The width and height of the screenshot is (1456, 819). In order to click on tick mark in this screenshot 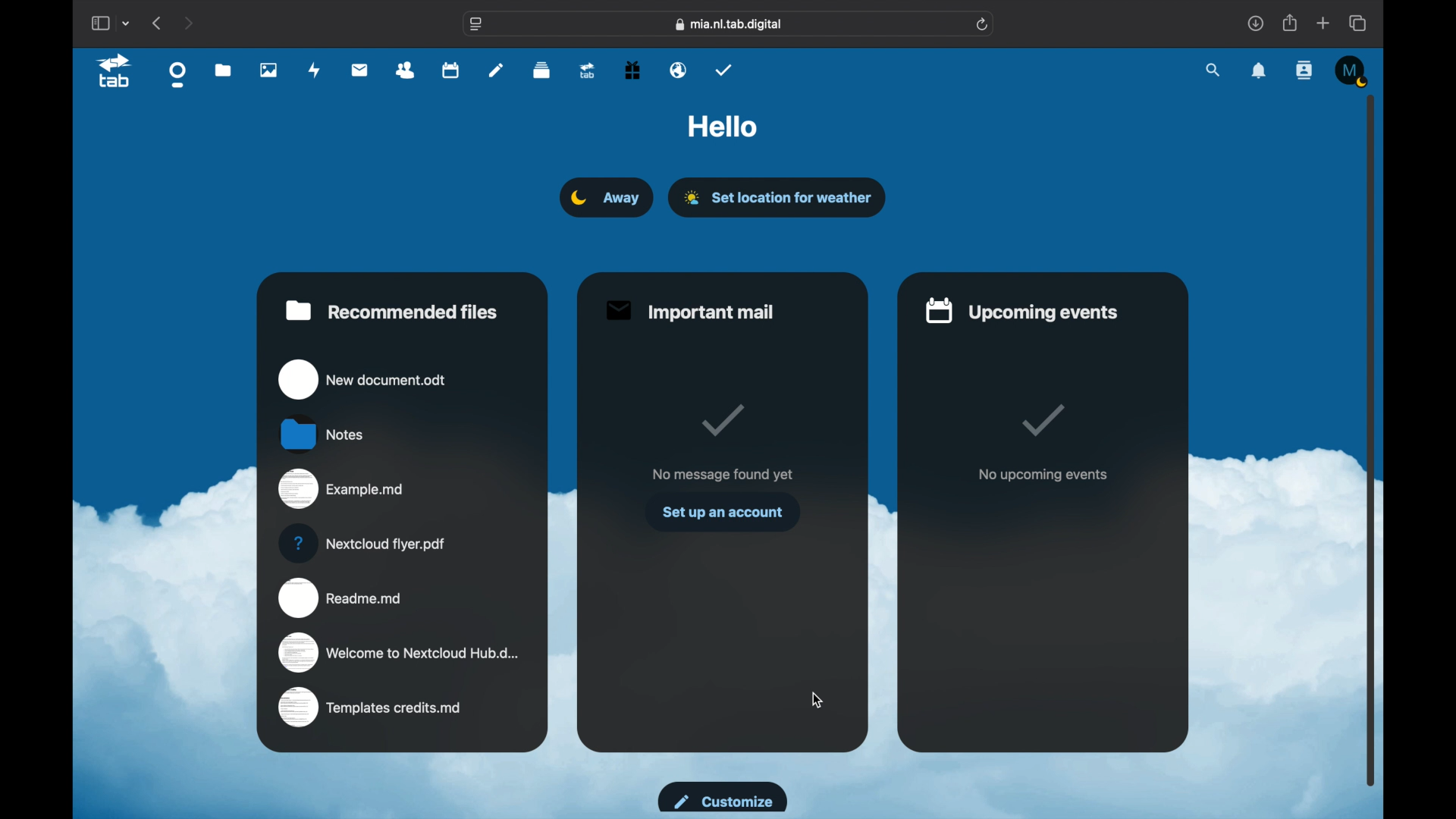, I will do `click(1040, 419)`.